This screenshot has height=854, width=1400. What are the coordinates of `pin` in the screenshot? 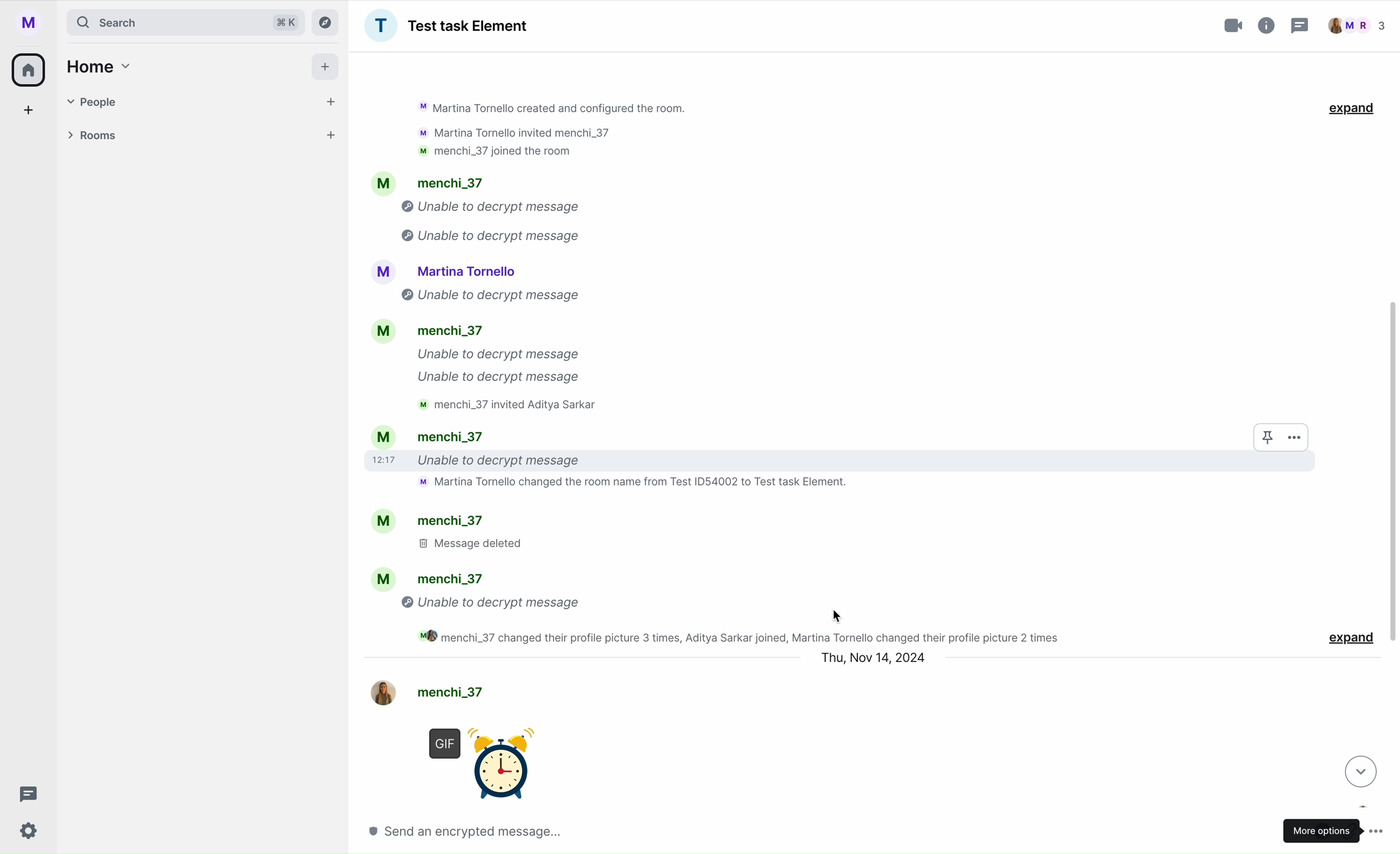 It's located at (1267, 438).